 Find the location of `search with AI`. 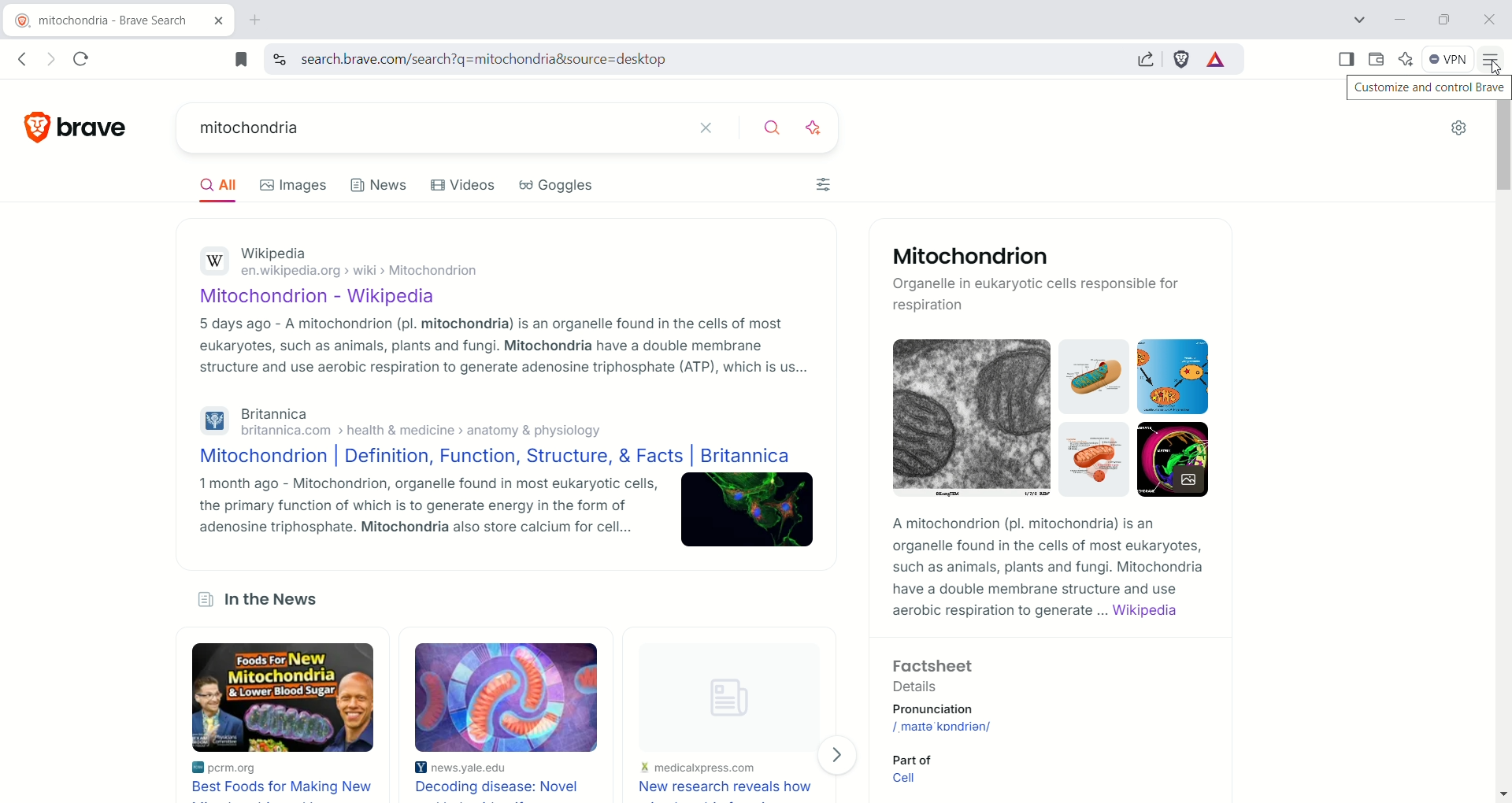

search with AI is located at coordinates (817, 130).